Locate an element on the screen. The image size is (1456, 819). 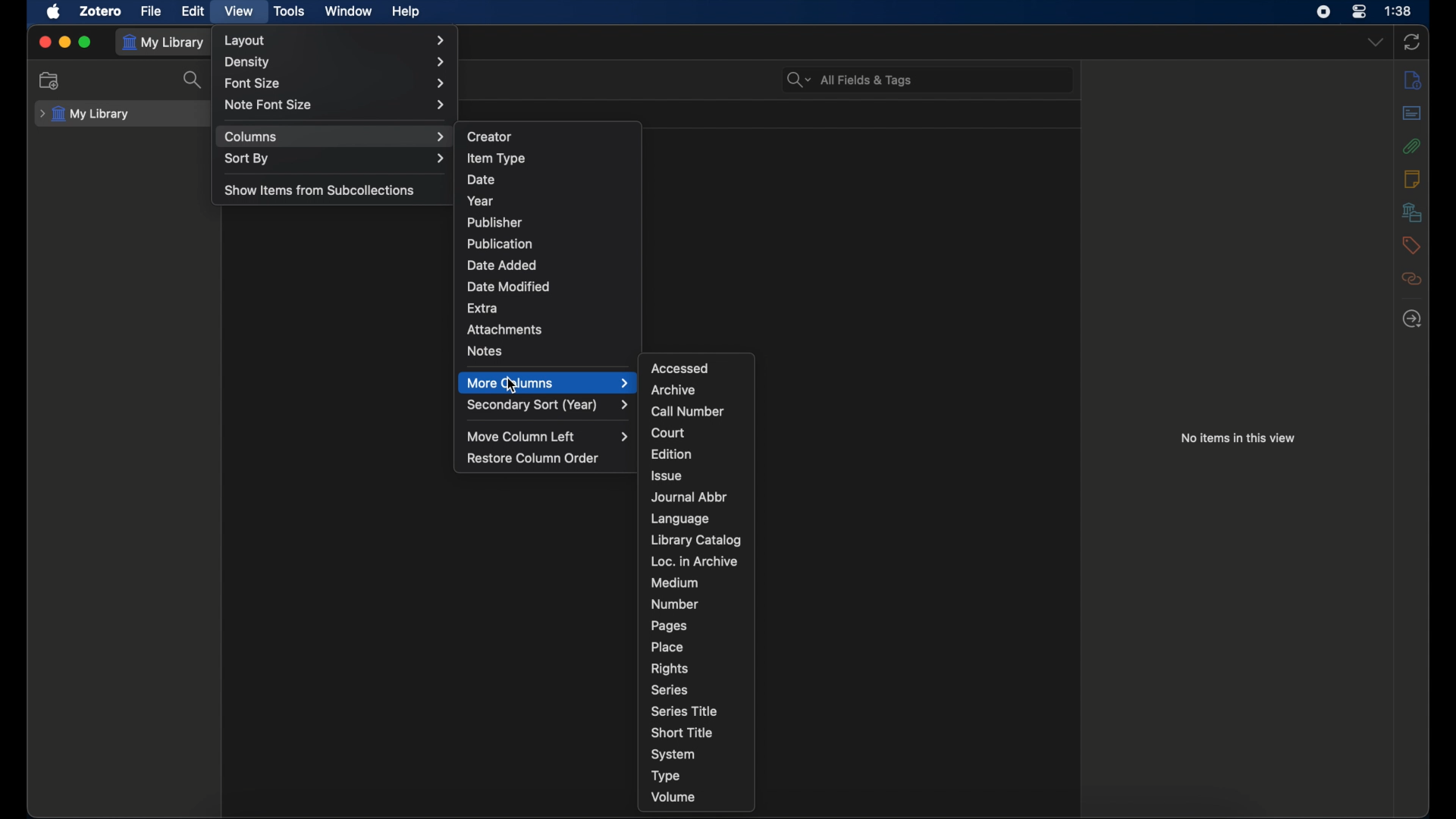
my library is located at coordinates (86, 114).